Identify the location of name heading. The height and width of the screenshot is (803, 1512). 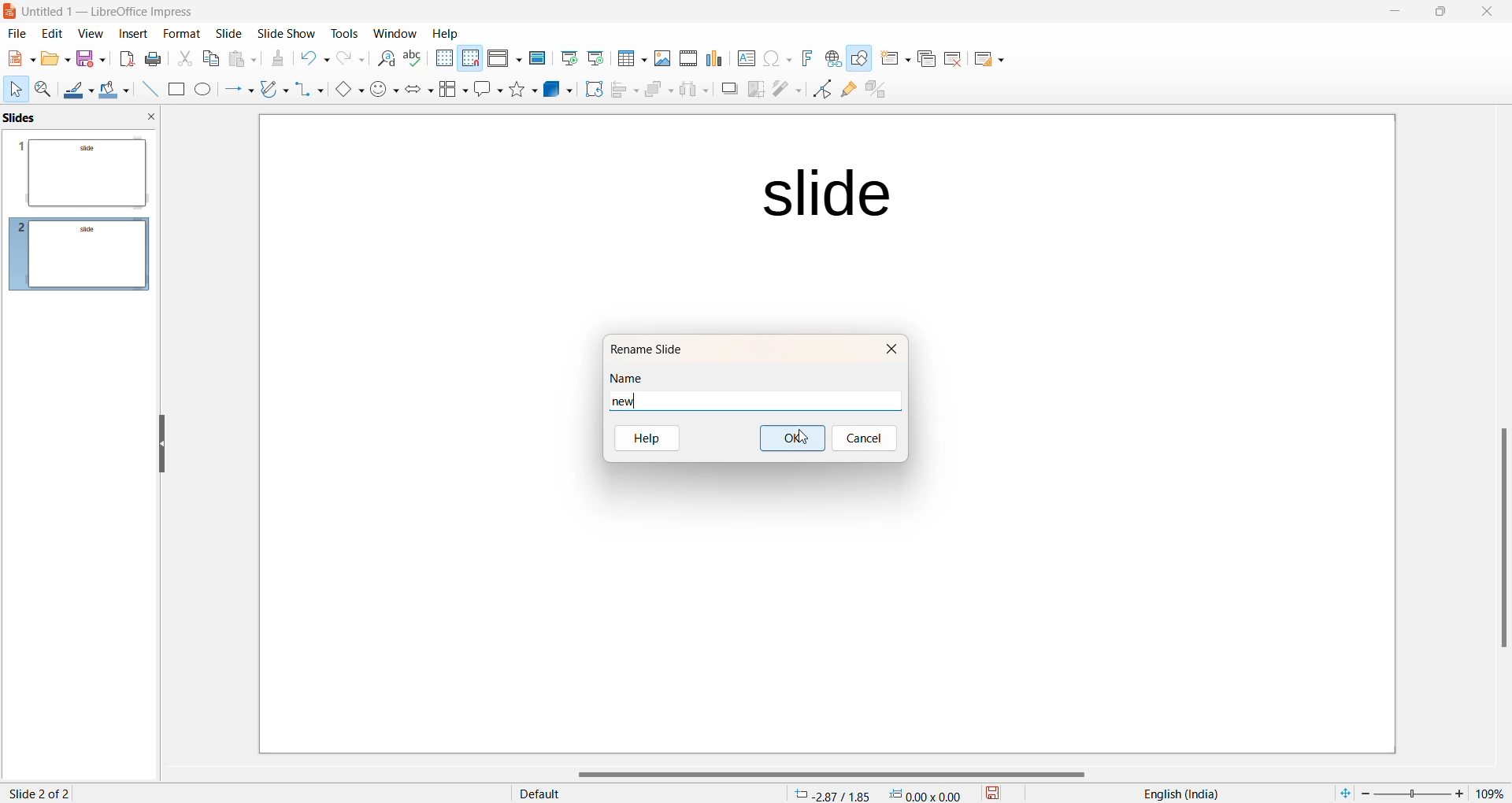
(631, 378).